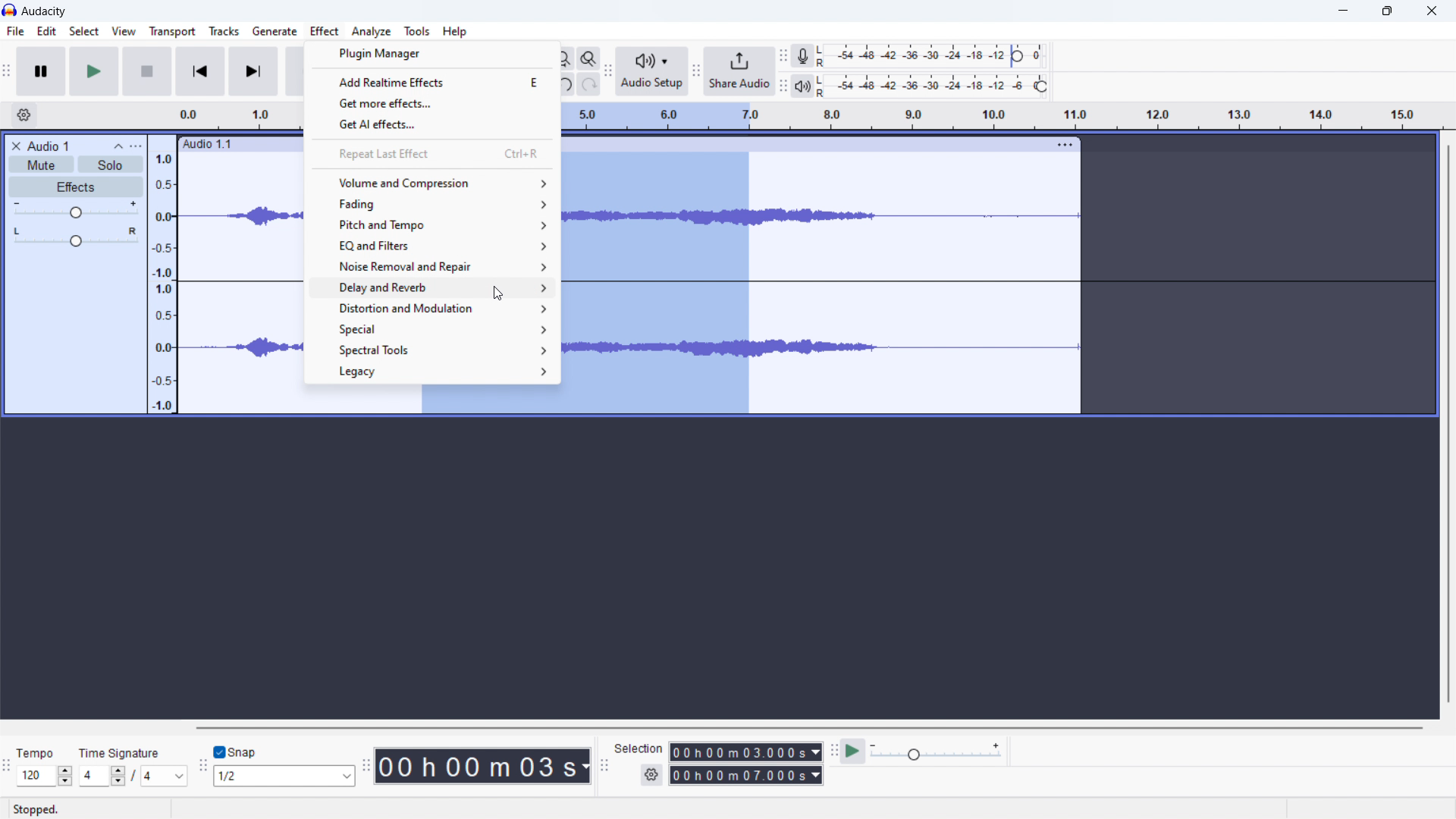  What do you see at coordinates (240, 289) in the screenshot?
I see `soundtrack` at bounding box center [240, 289].